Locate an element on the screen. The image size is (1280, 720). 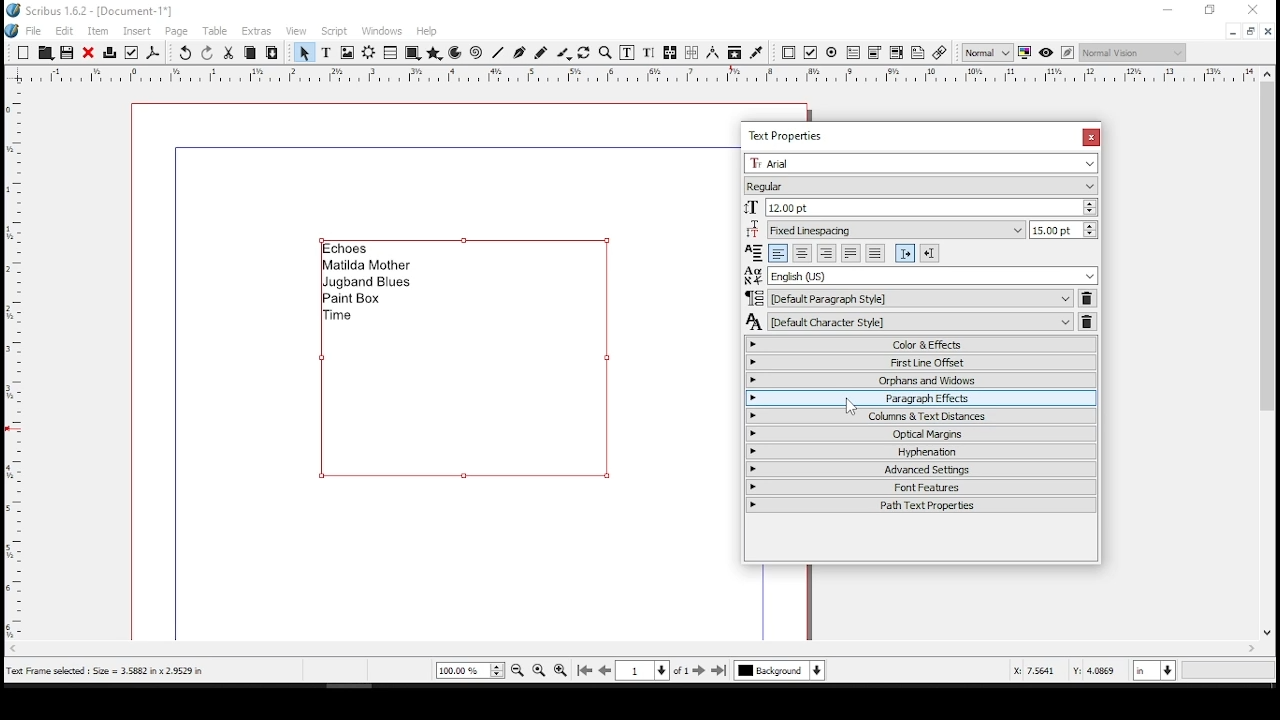
item is located at coordinates (97, 31).